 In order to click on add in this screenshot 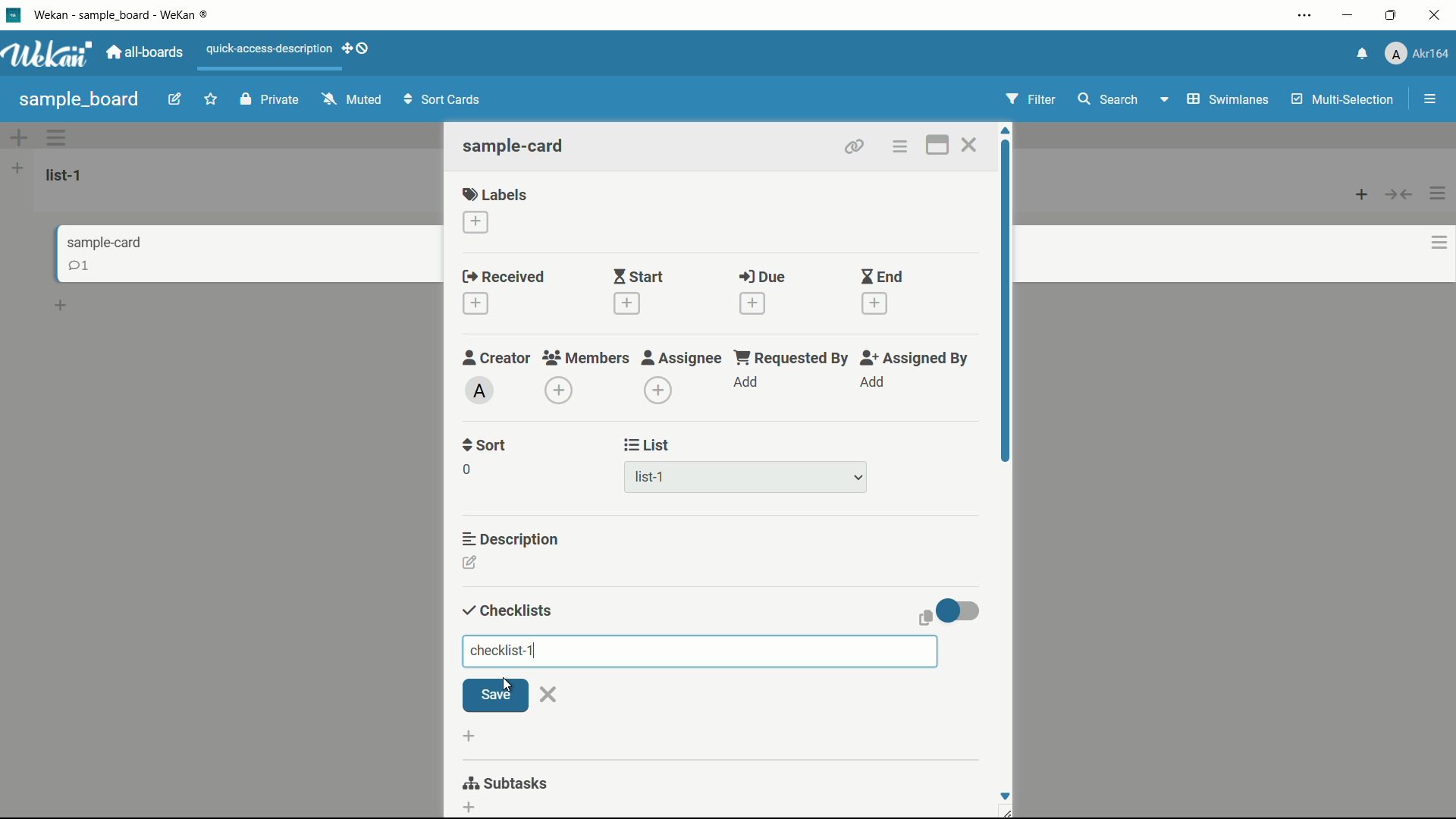, I will do `click(874, 381)`.